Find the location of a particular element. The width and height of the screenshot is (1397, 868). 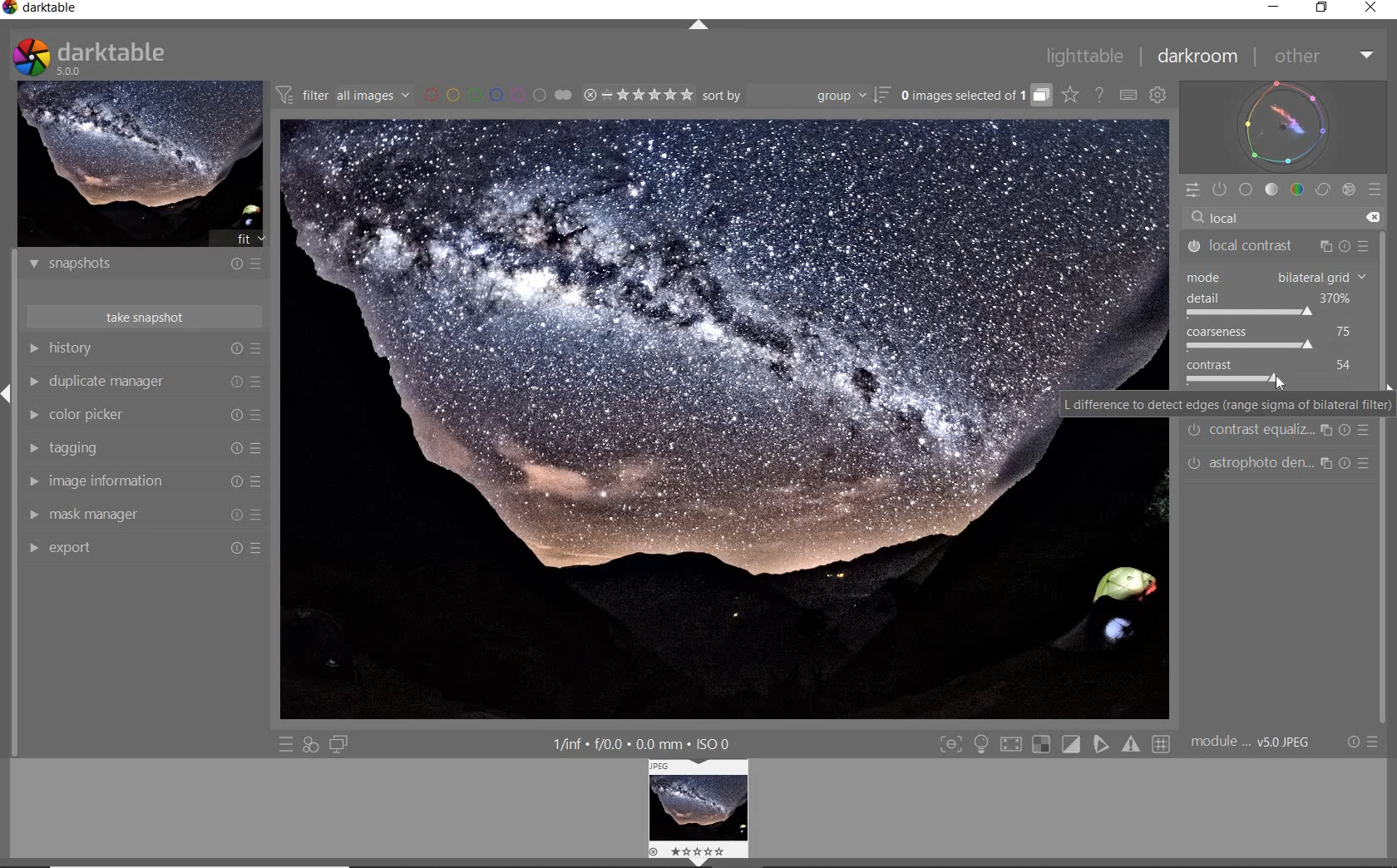

History is located at coordinates (86, 349).